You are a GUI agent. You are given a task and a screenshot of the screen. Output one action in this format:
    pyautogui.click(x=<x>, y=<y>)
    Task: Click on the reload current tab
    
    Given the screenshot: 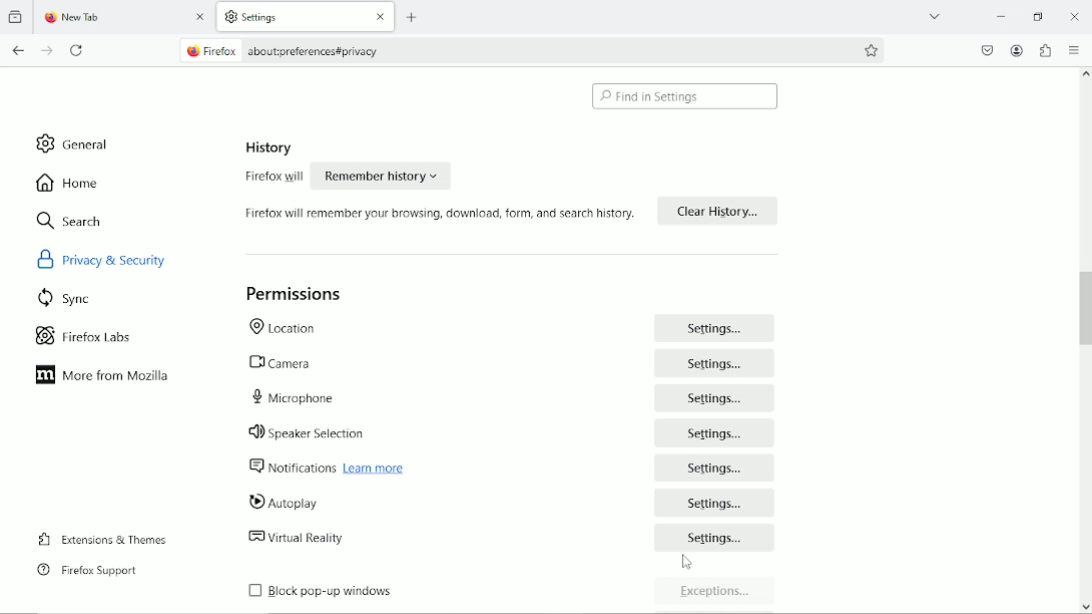 What is the action you would take?
    pyautogui.click(x=78, y=51)
    